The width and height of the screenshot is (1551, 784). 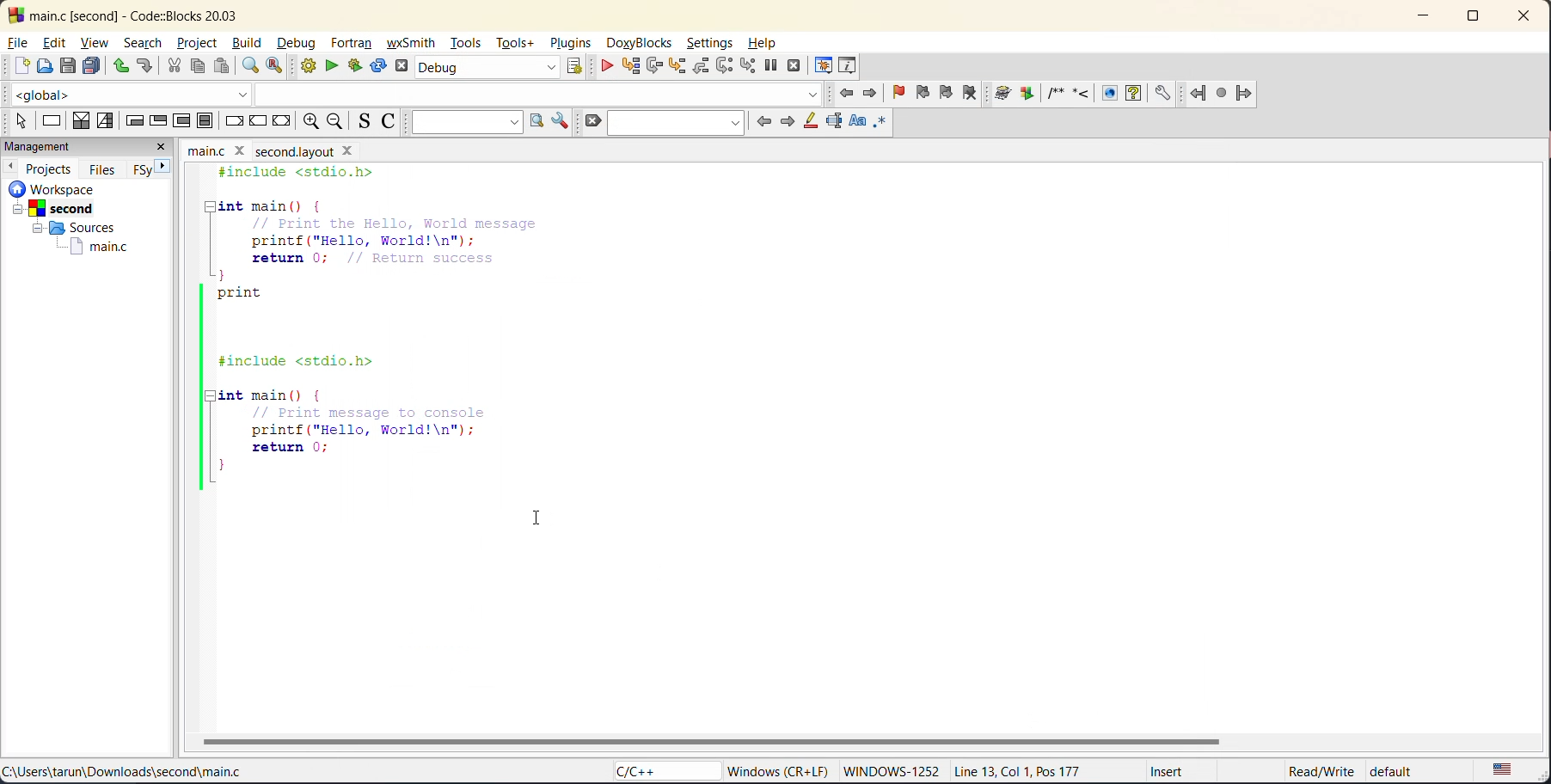 What do you see at coordinates (133, 119) in the screenshot?
I see `entry condition loop` at bounding box center [133, 119].